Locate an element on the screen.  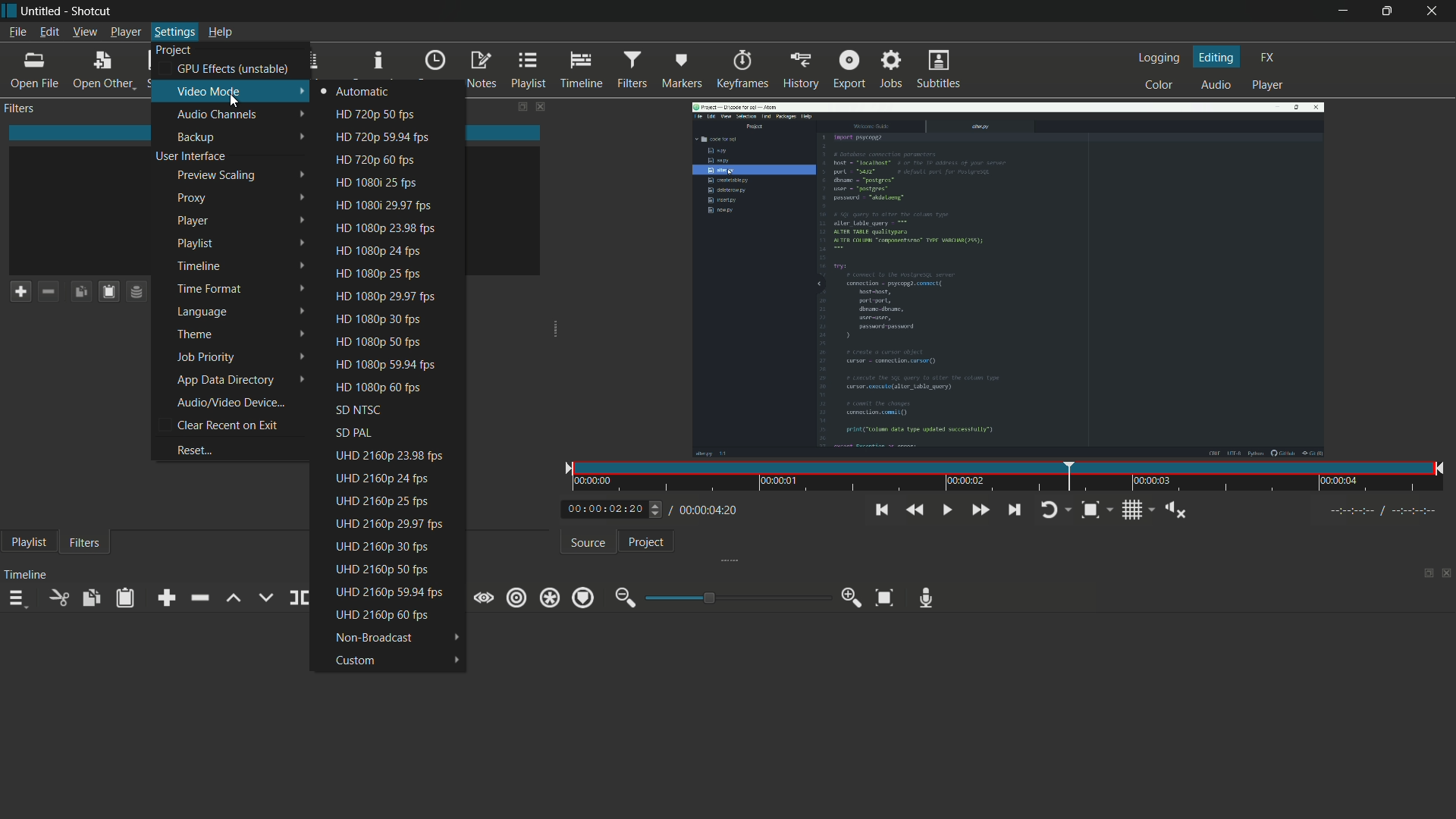
cut is located at coordinates (58, 598).